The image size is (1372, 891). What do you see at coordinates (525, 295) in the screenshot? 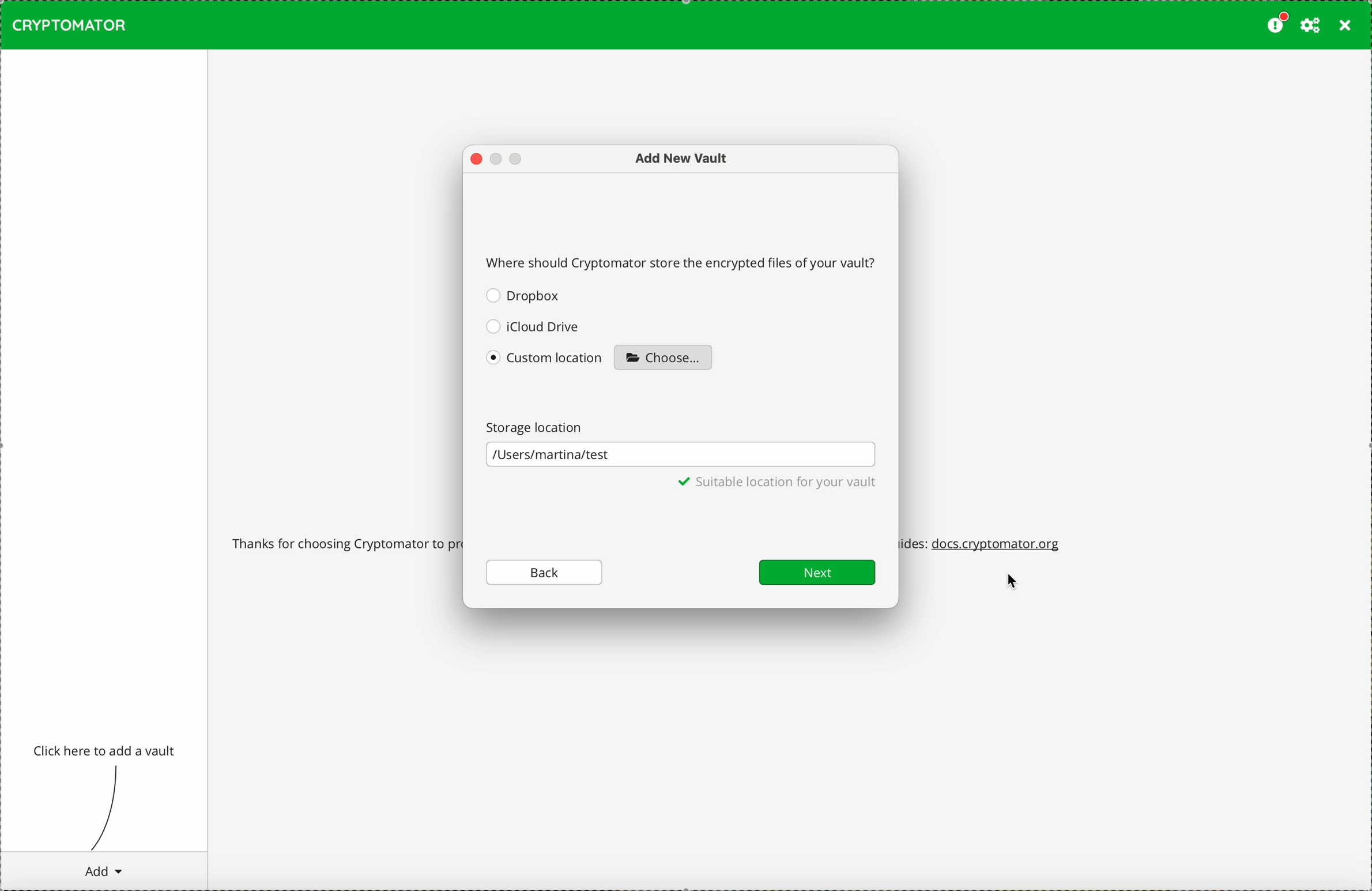
I see `Dropbox` at bounding box center [525, 295].